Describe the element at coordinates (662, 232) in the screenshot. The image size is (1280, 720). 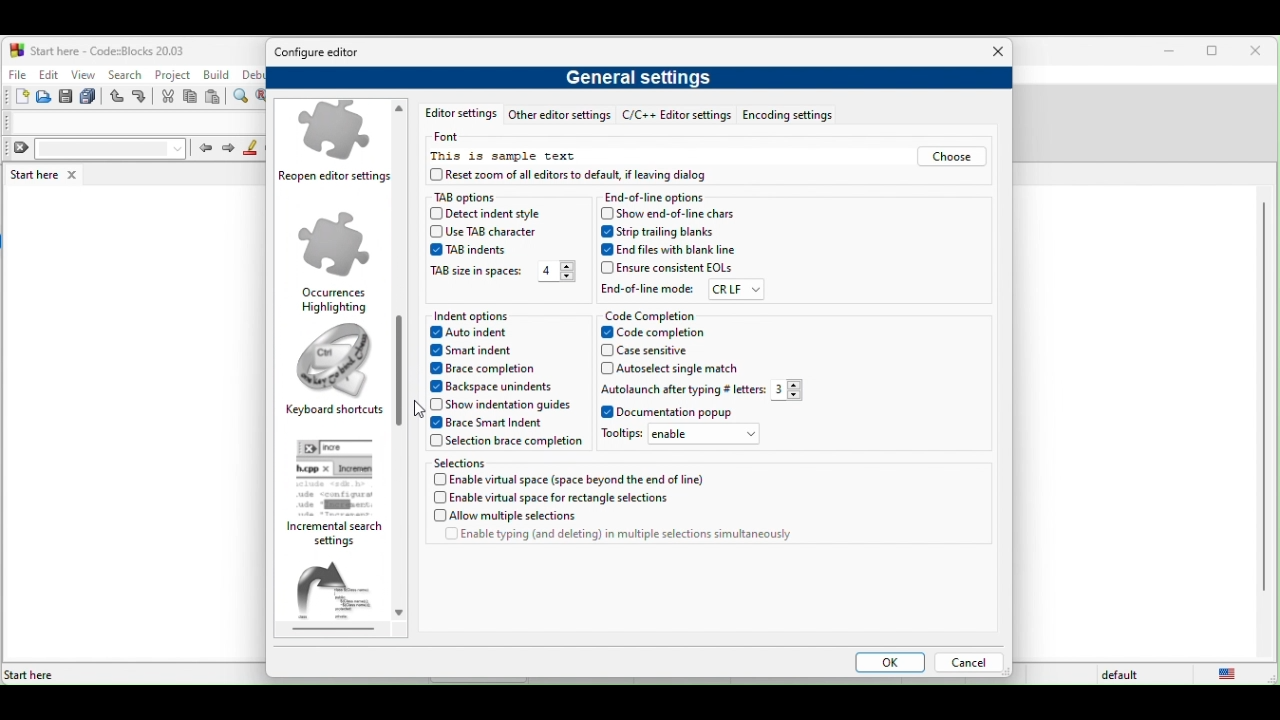
I see `strip trailing blanks` at that location.